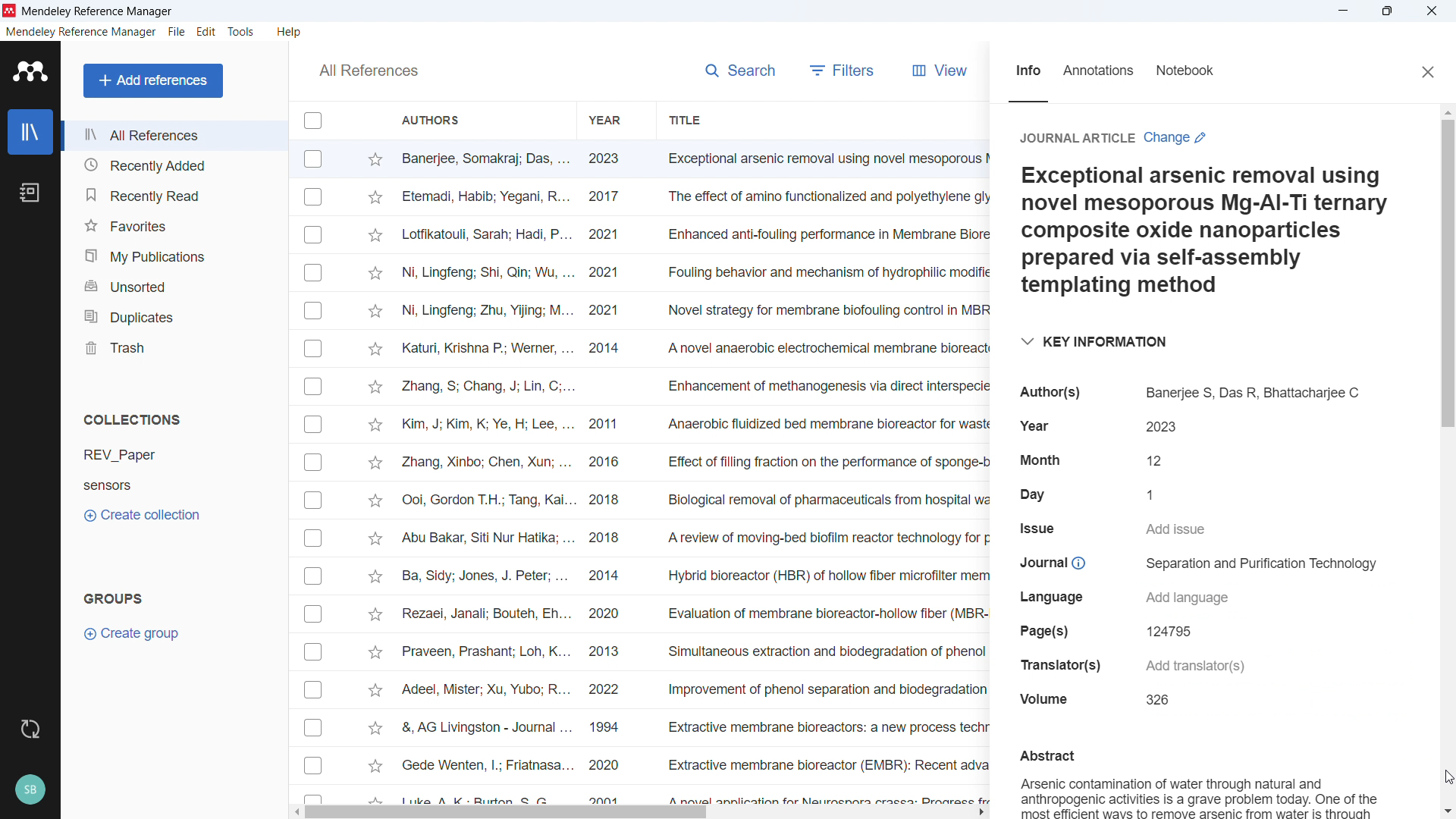 This screenshot has height=819, width=1456. Describe the element at coordinates (315, 613) in the screenshot. I see `` at that location.